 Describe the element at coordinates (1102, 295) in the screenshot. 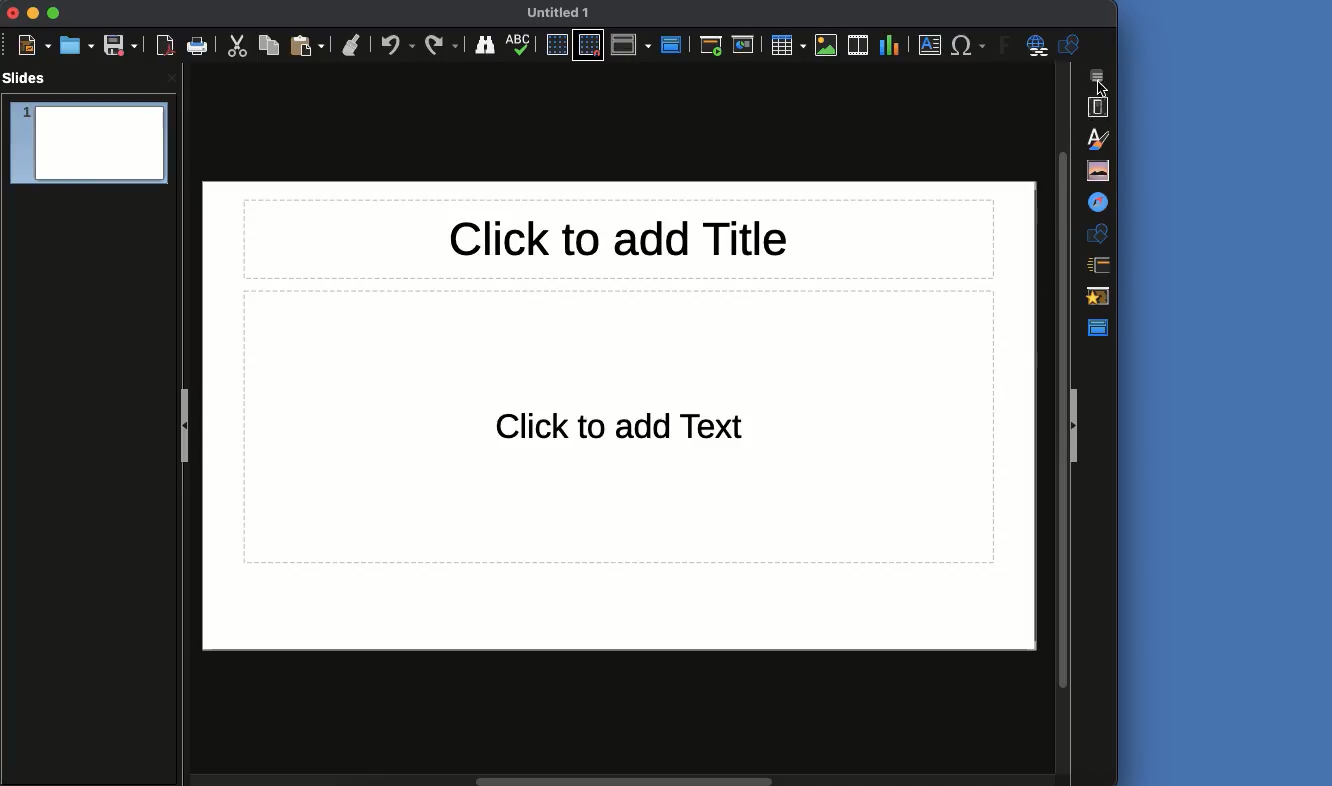

I see `Animations` at that location.